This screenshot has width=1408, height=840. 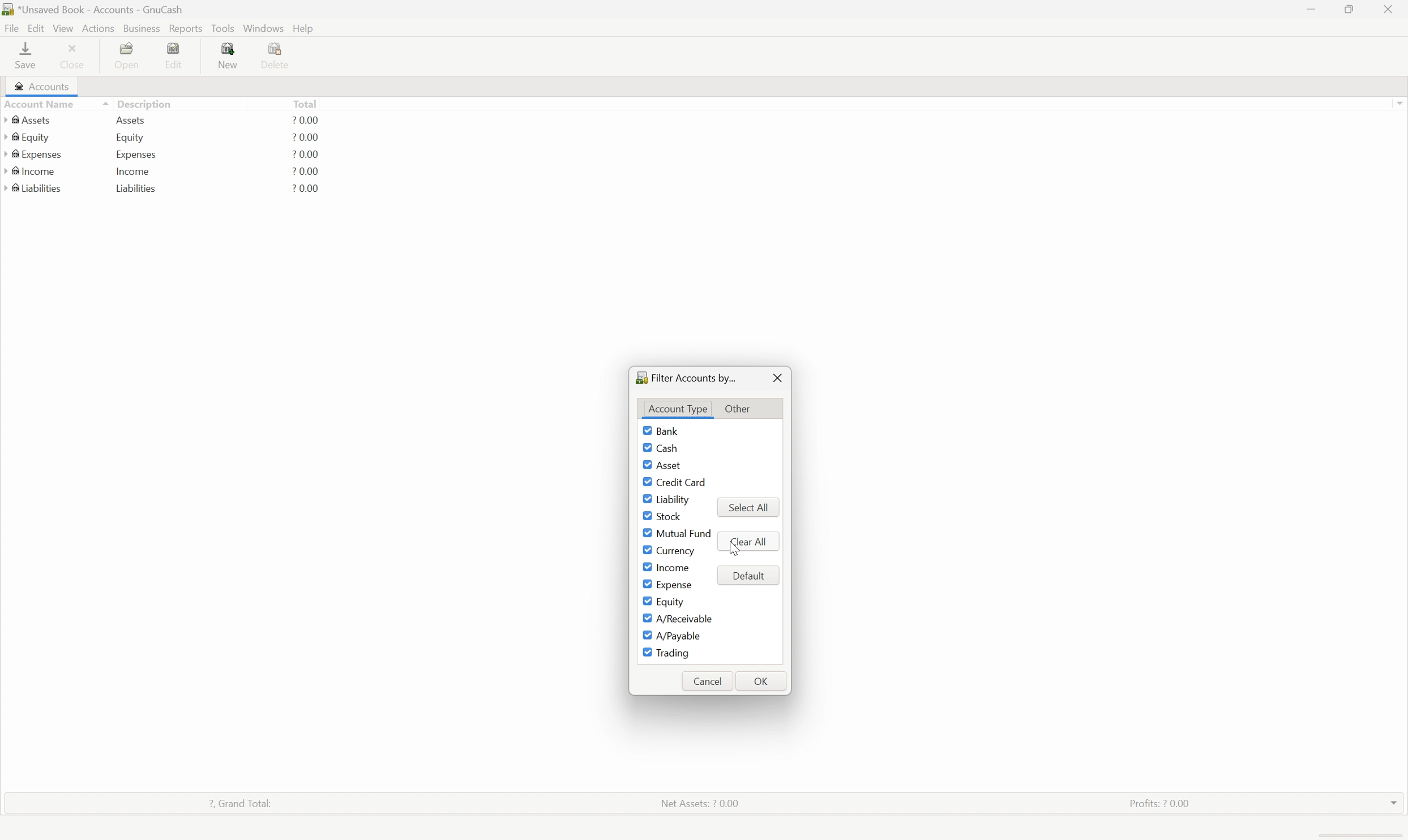 I want to click on Filter accounts by..., so click(x=686, y=378).